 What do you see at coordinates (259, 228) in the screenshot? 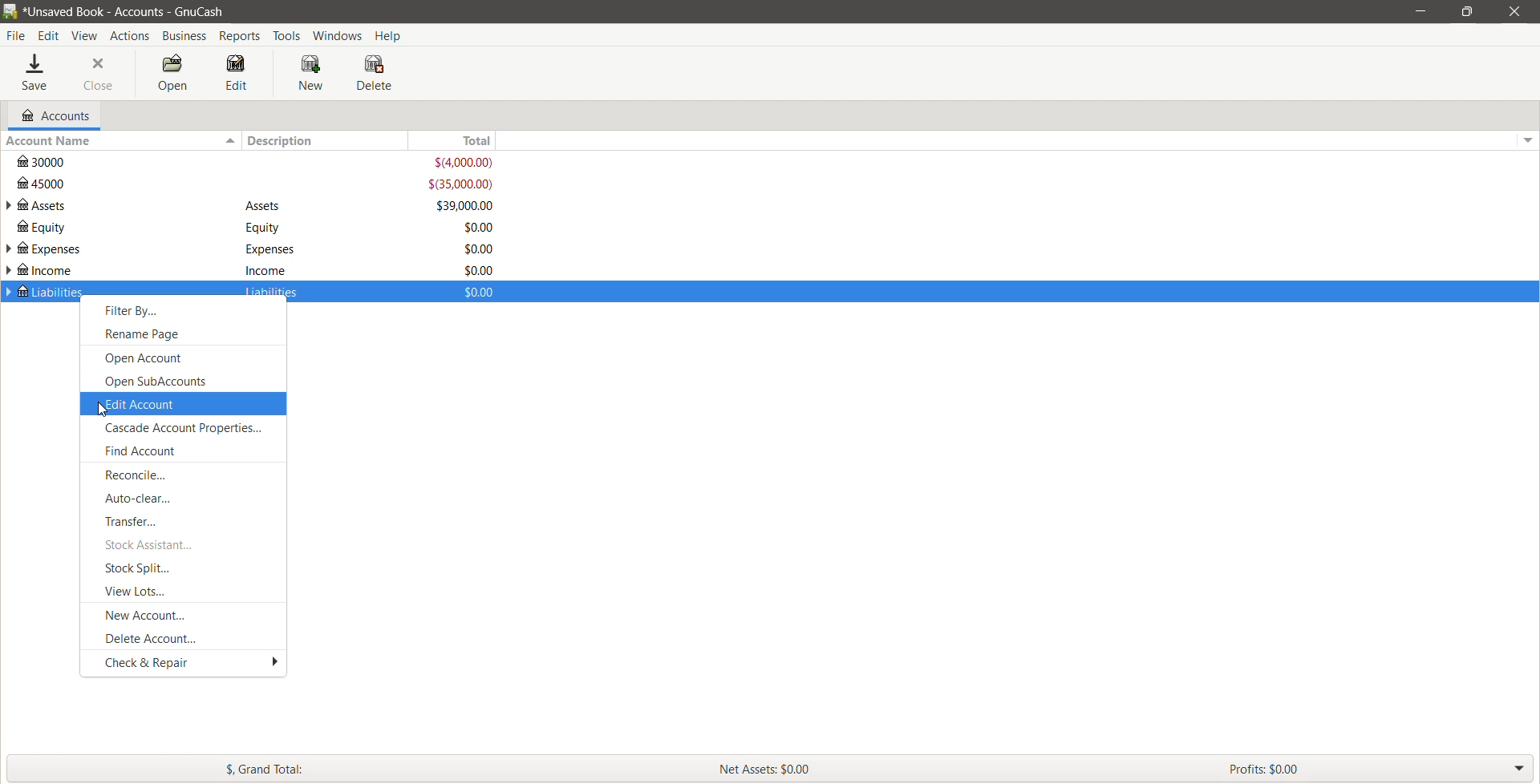
I see `details of the account "Equity"` at bounding box center [259, 228].